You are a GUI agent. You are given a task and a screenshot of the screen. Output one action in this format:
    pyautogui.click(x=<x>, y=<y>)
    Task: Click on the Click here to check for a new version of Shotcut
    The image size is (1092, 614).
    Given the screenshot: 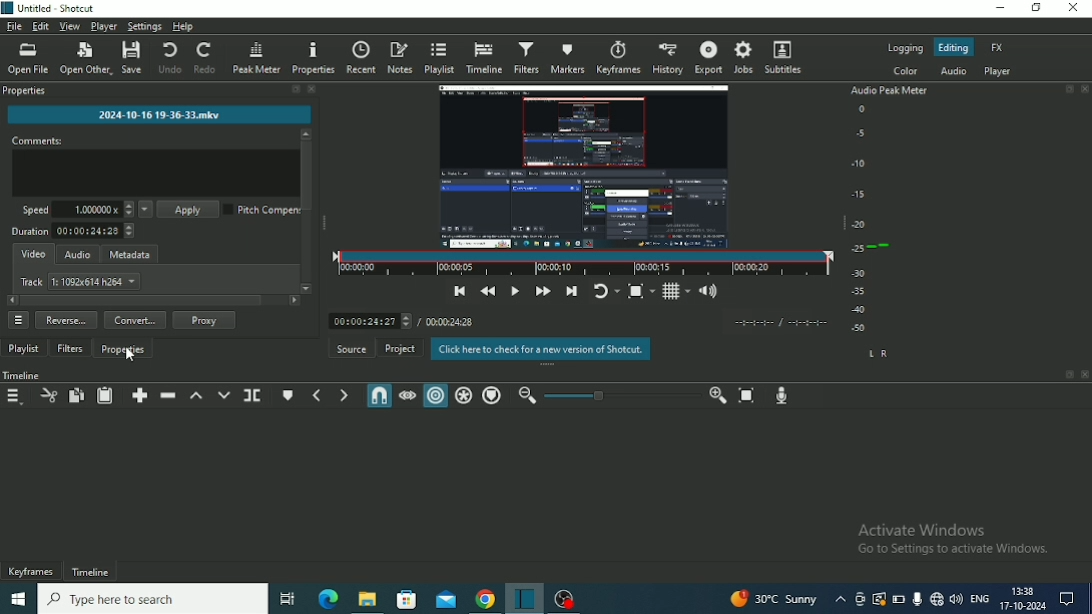 What is the action you would take?
    pyautogui.click(x=538, y=349)
    